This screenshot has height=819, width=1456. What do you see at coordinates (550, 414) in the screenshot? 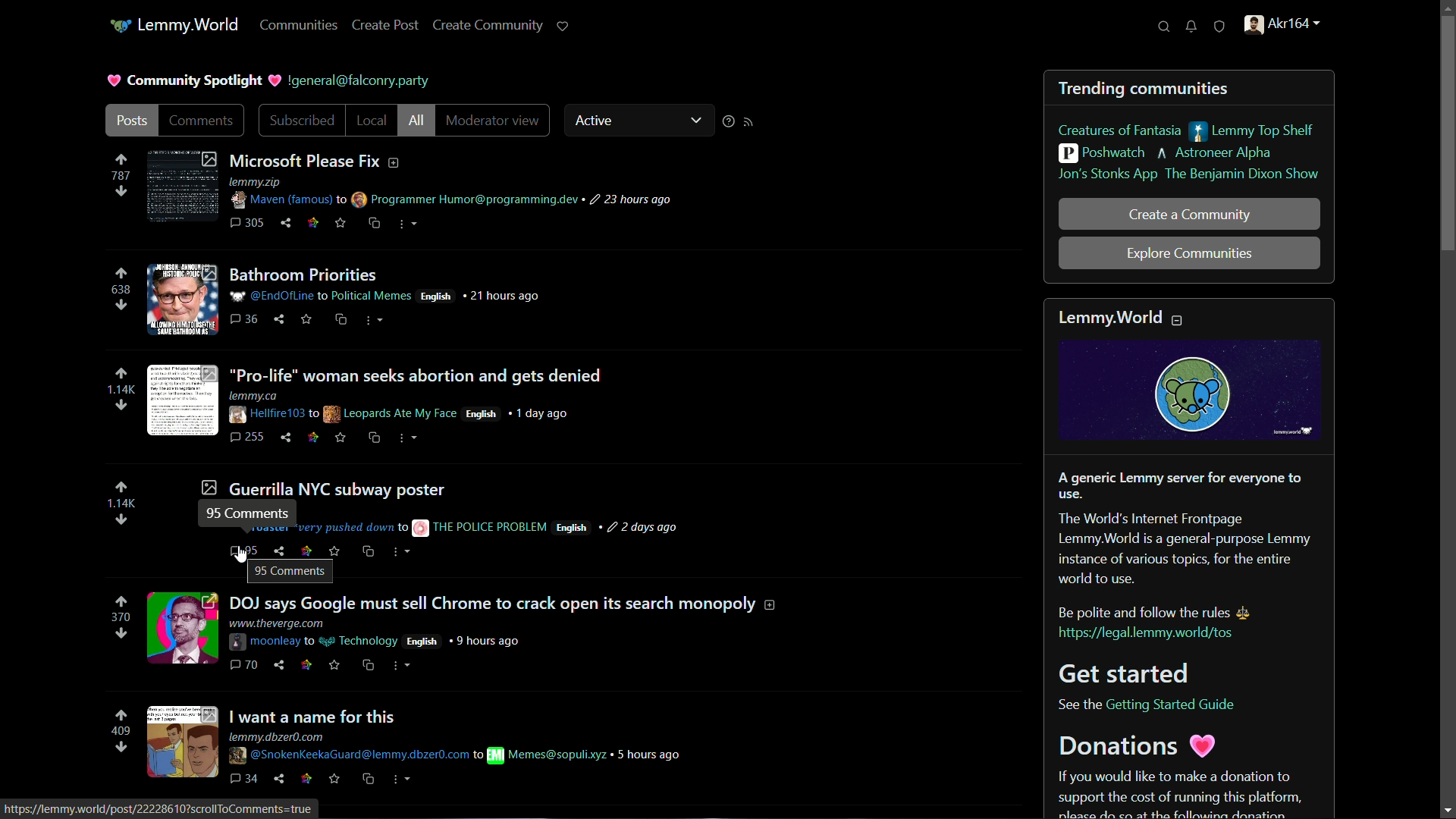
I see `«1day ago` at bounding box center [550, 414].